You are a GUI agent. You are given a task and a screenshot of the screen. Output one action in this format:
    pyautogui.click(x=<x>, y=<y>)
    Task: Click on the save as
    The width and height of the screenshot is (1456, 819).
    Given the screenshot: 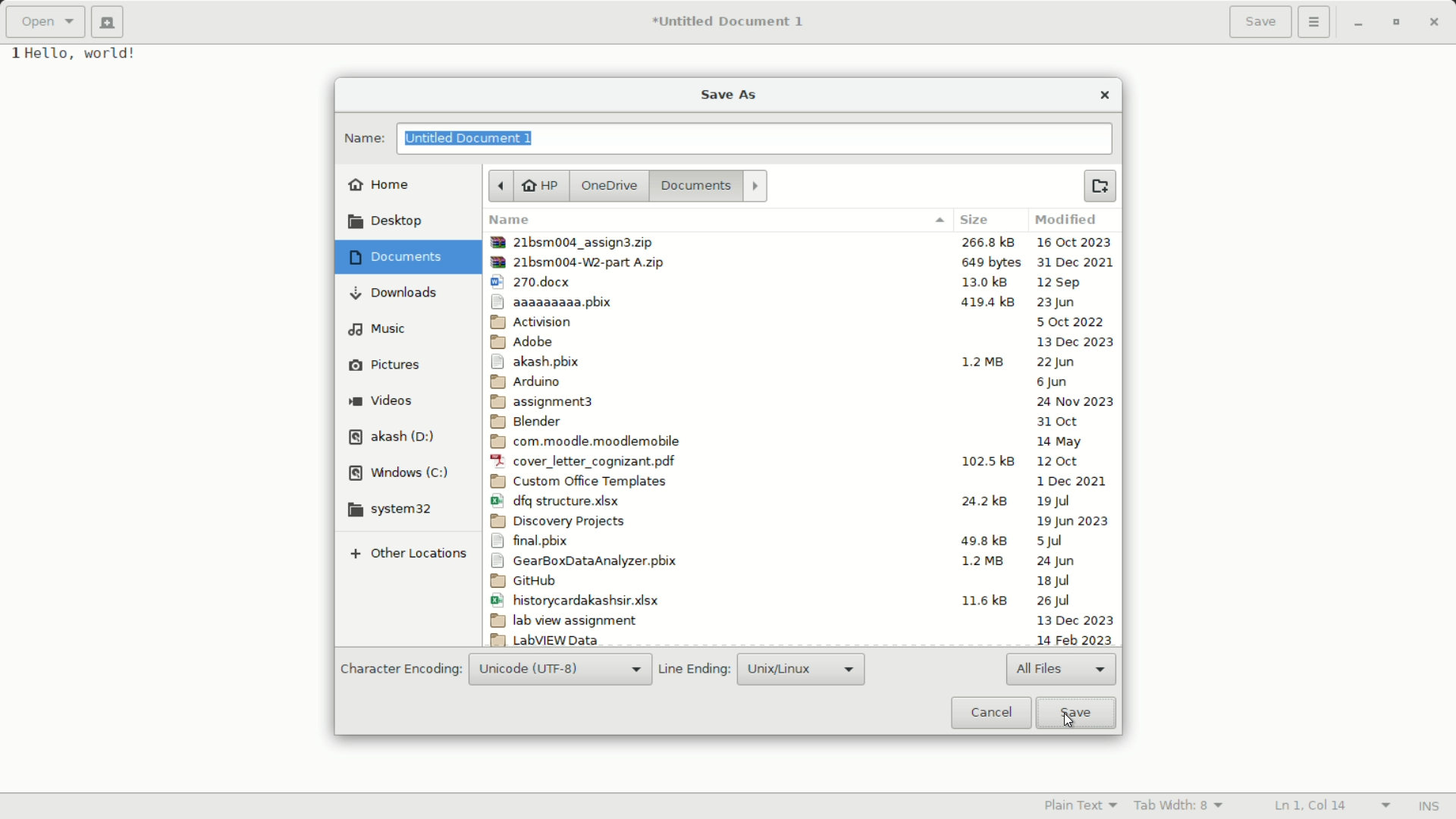 What is the action you would take?
    pyautogui.click(x=729, y=94)
    